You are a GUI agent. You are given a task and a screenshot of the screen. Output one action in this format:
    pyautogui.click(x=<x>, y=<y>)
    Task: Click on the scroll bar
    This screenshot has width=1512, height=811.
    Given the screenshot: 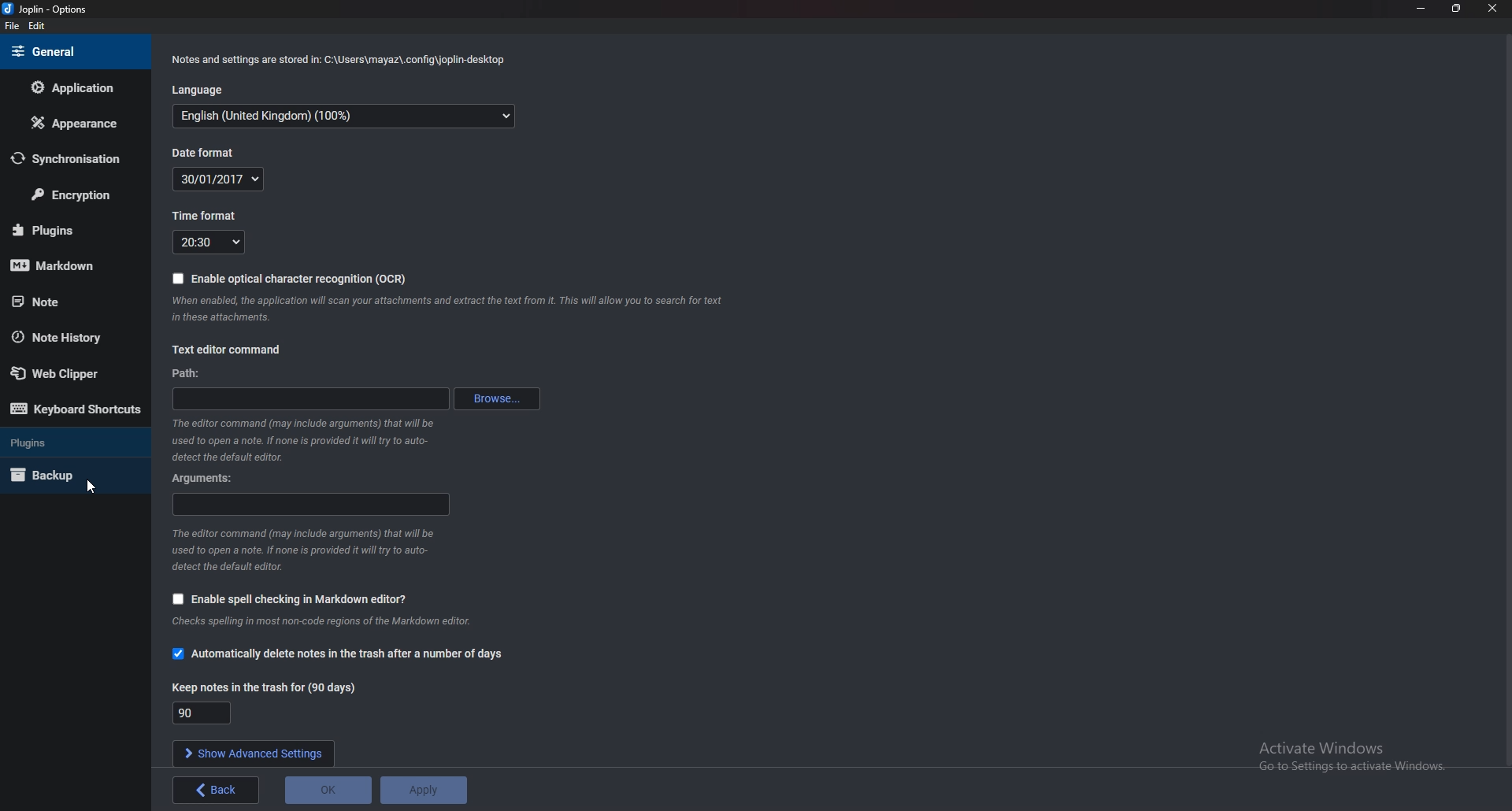 What is the action you would take?
    pyautogui.click(x=1507, y=401)
    